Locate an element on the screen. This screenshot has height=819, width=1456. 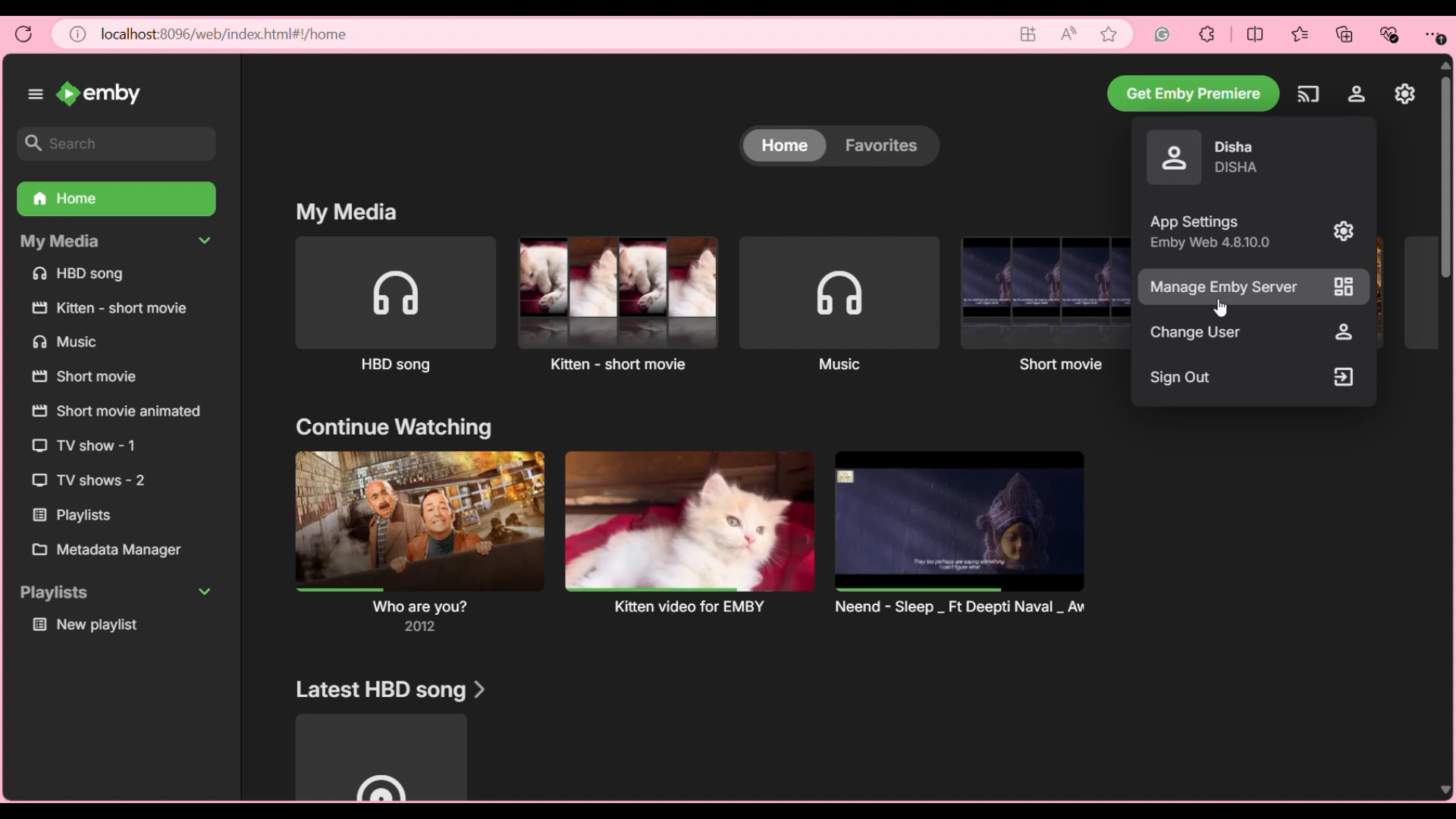
short movie animated is located at coordinates (118, 413).